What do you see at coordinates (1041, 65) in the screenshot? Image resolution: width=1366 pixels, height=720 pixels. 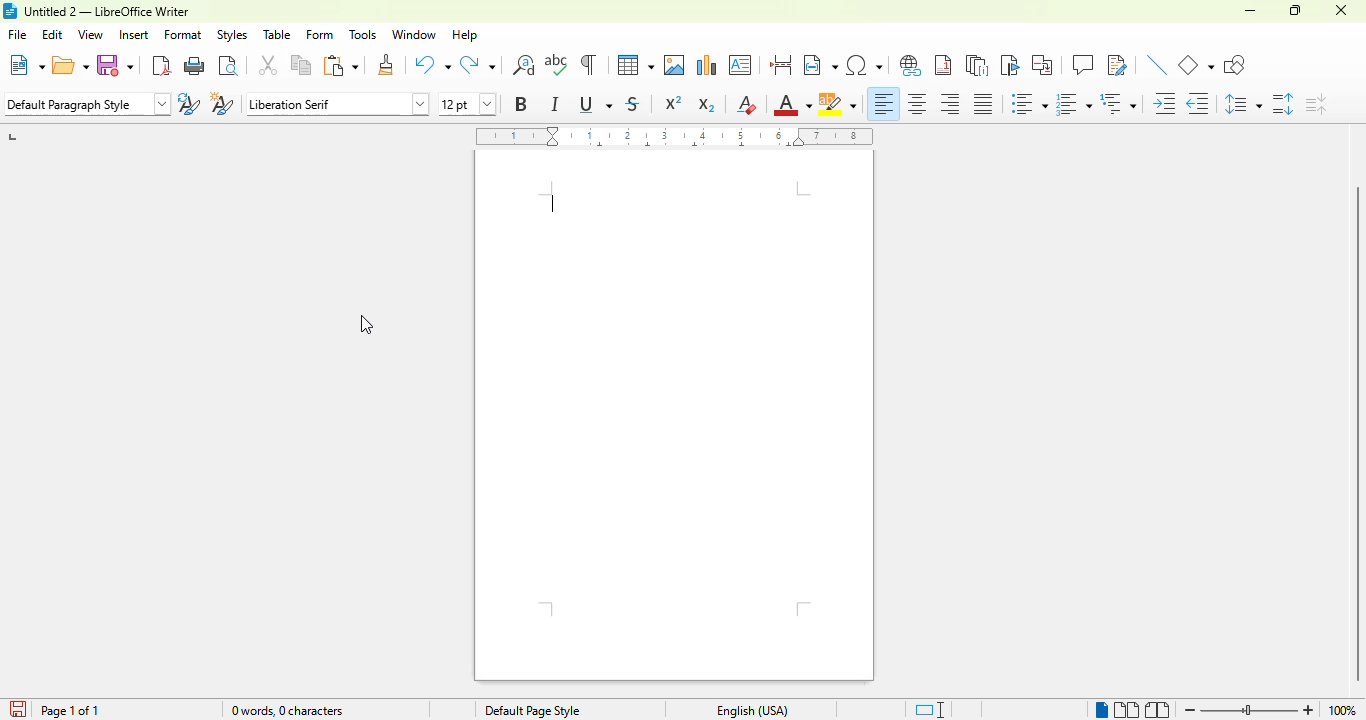 I see `insert cross-reference` at bounding box center [1041, 65].